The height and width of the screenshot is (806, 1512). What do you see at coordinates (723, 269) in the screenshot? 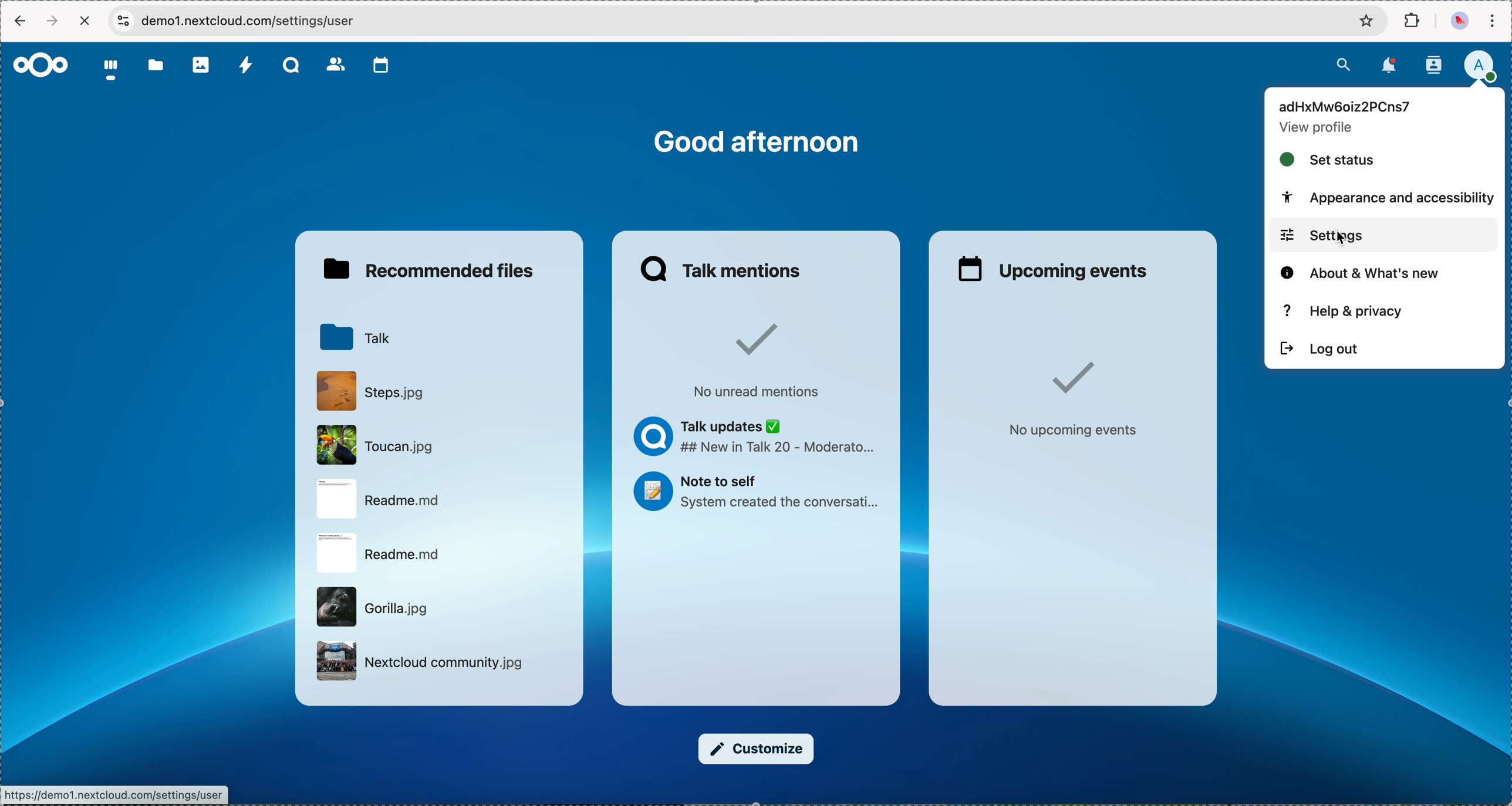
I see `Talk mentions` at bounding box center [723, 269].